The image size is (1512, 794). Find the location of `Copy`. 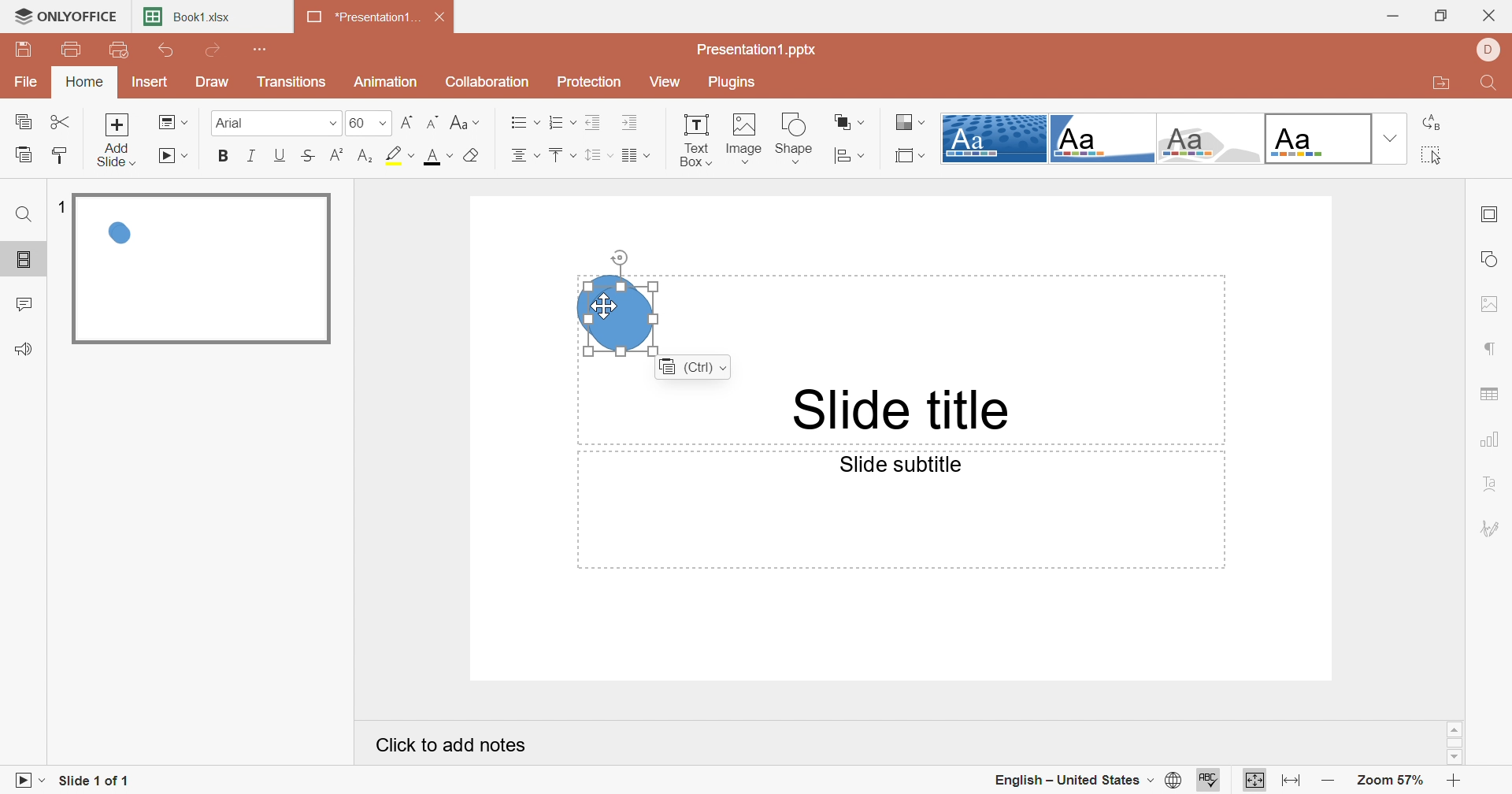

Copy is located at coordinates (23, 122).